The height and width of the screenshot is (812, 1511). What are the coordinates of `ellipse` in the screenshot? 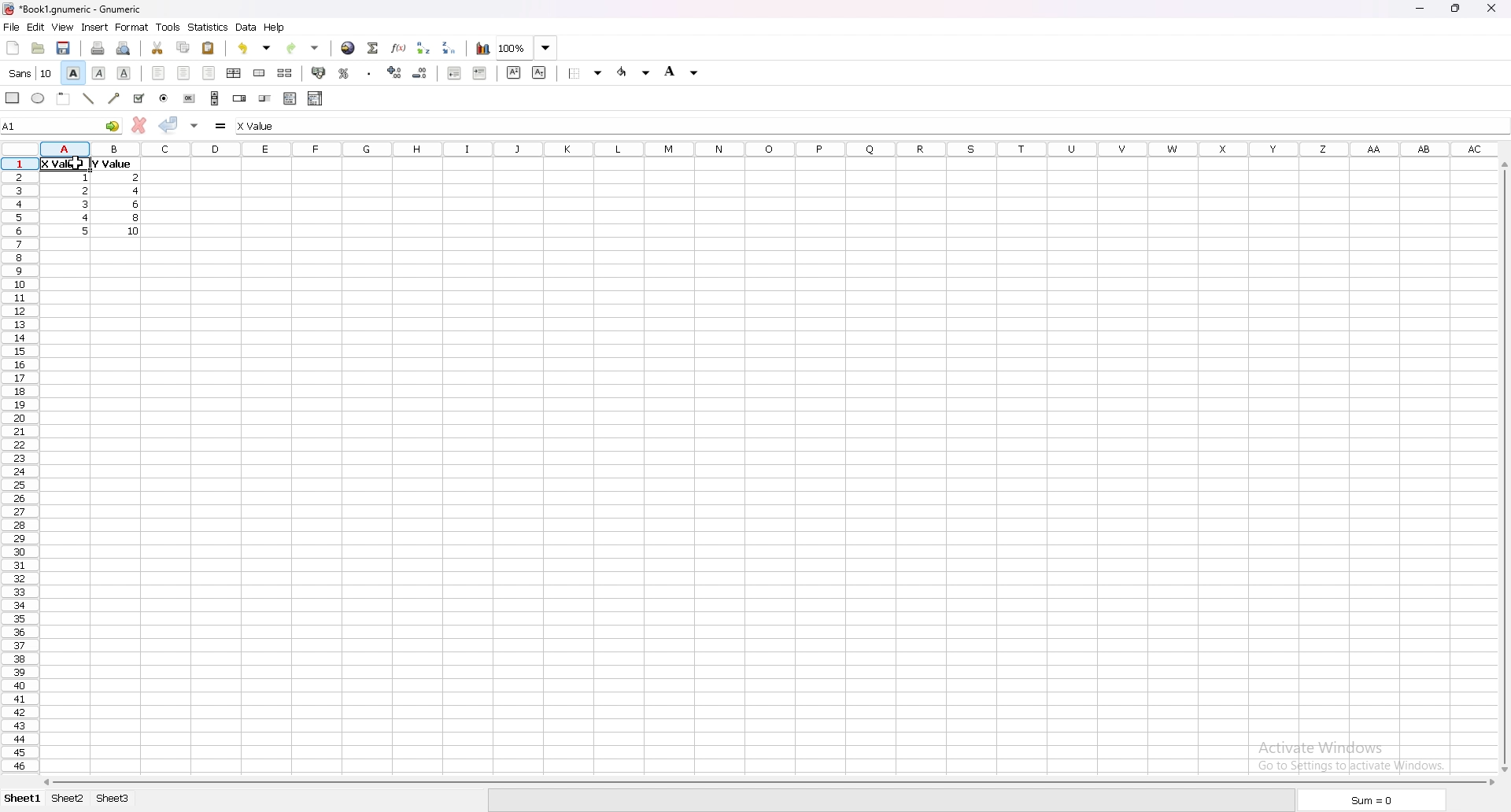 It's located at (38, 98).